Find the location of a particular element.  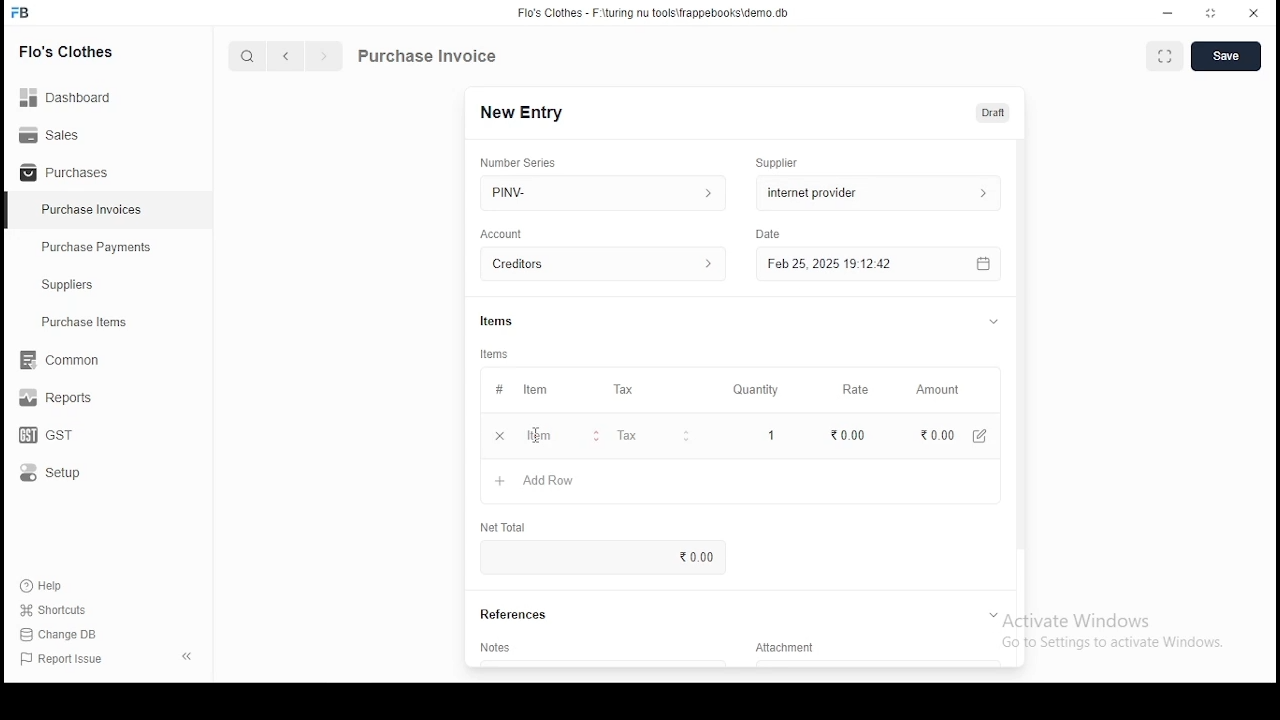

number series is located at coordinates (519, 162).